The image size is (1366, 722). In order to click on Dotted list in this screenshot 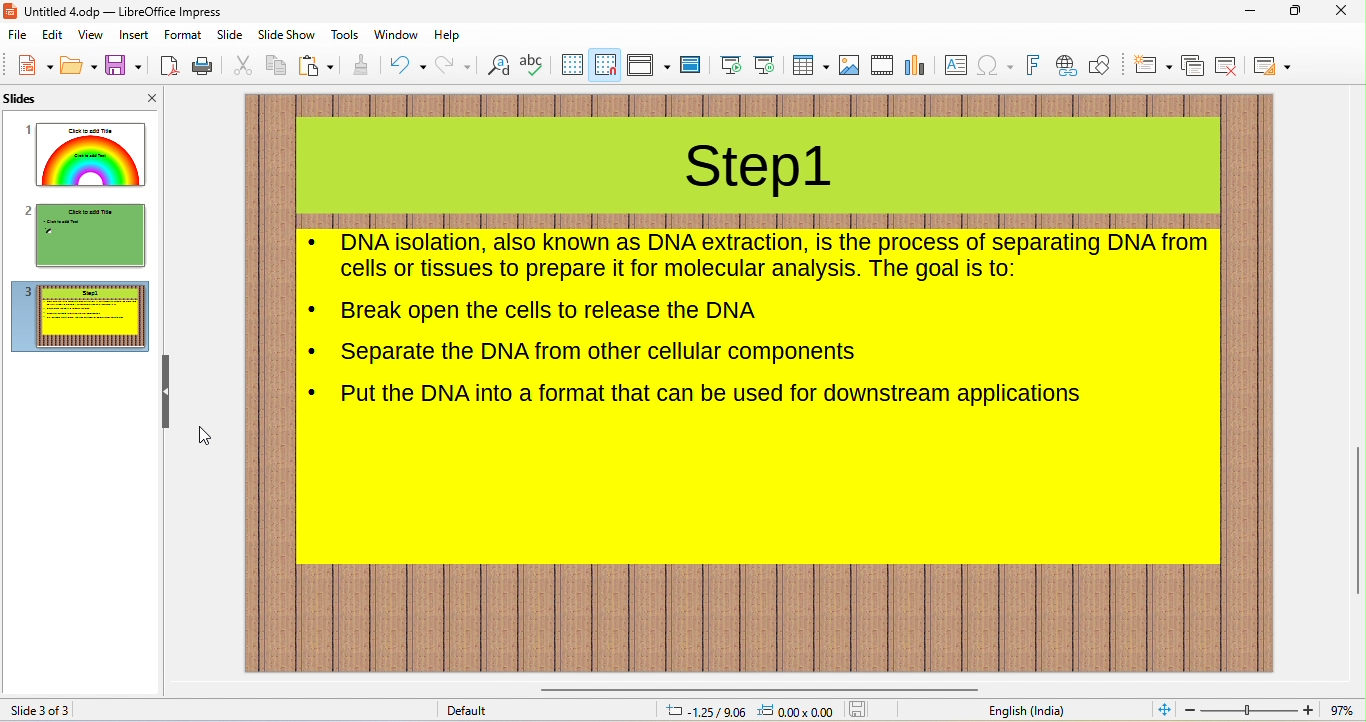, I will do `click(314, 242)`.